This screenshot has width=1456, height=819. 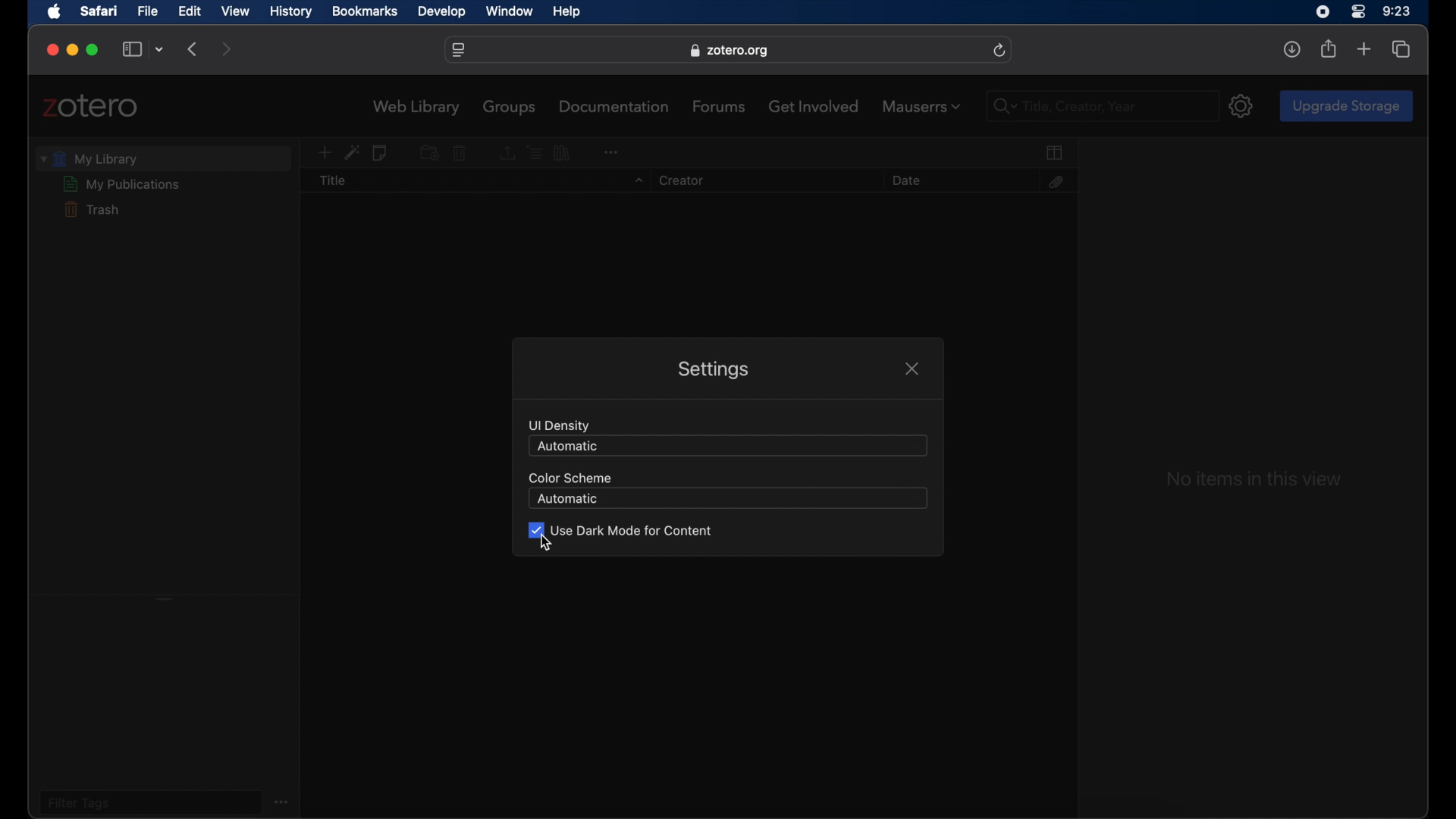 I want to click on previous, so click(x=194, y=48).